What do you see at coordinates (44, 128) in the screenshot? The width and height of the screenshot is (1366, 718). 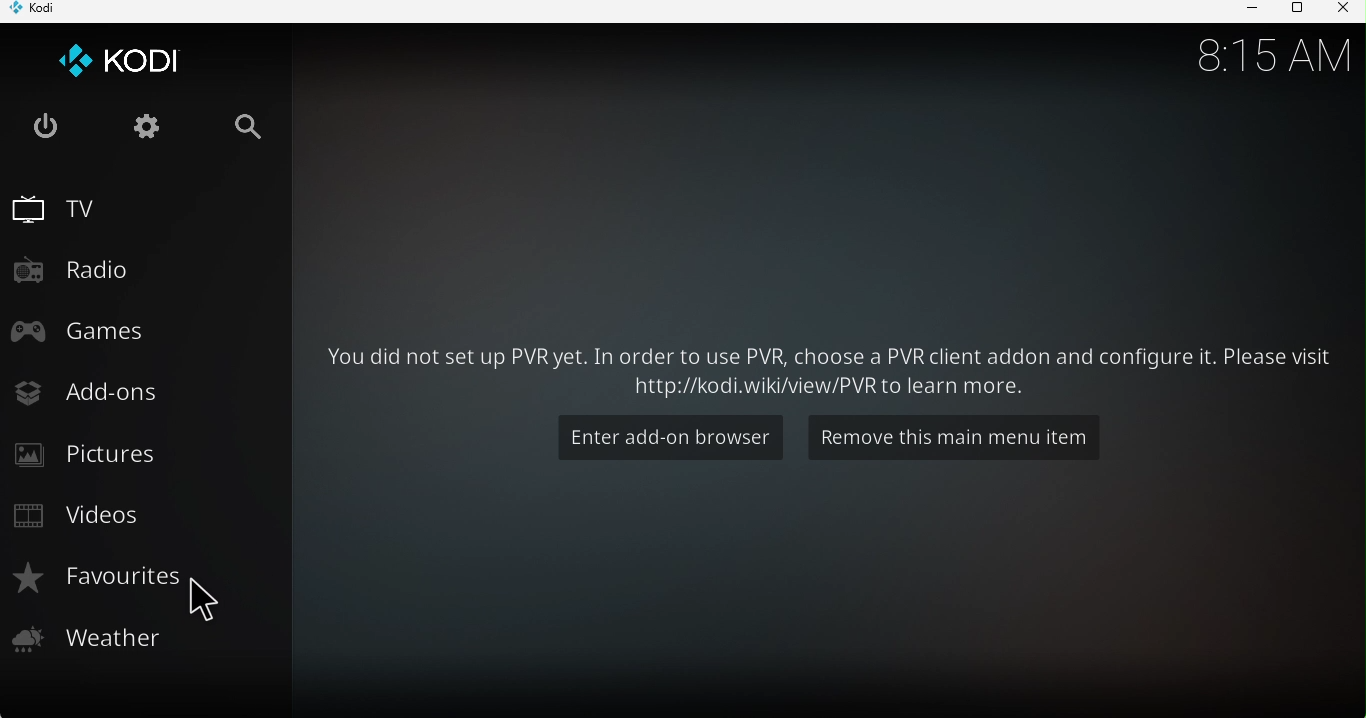 I see `Exit` at bounding box center [44, 128].